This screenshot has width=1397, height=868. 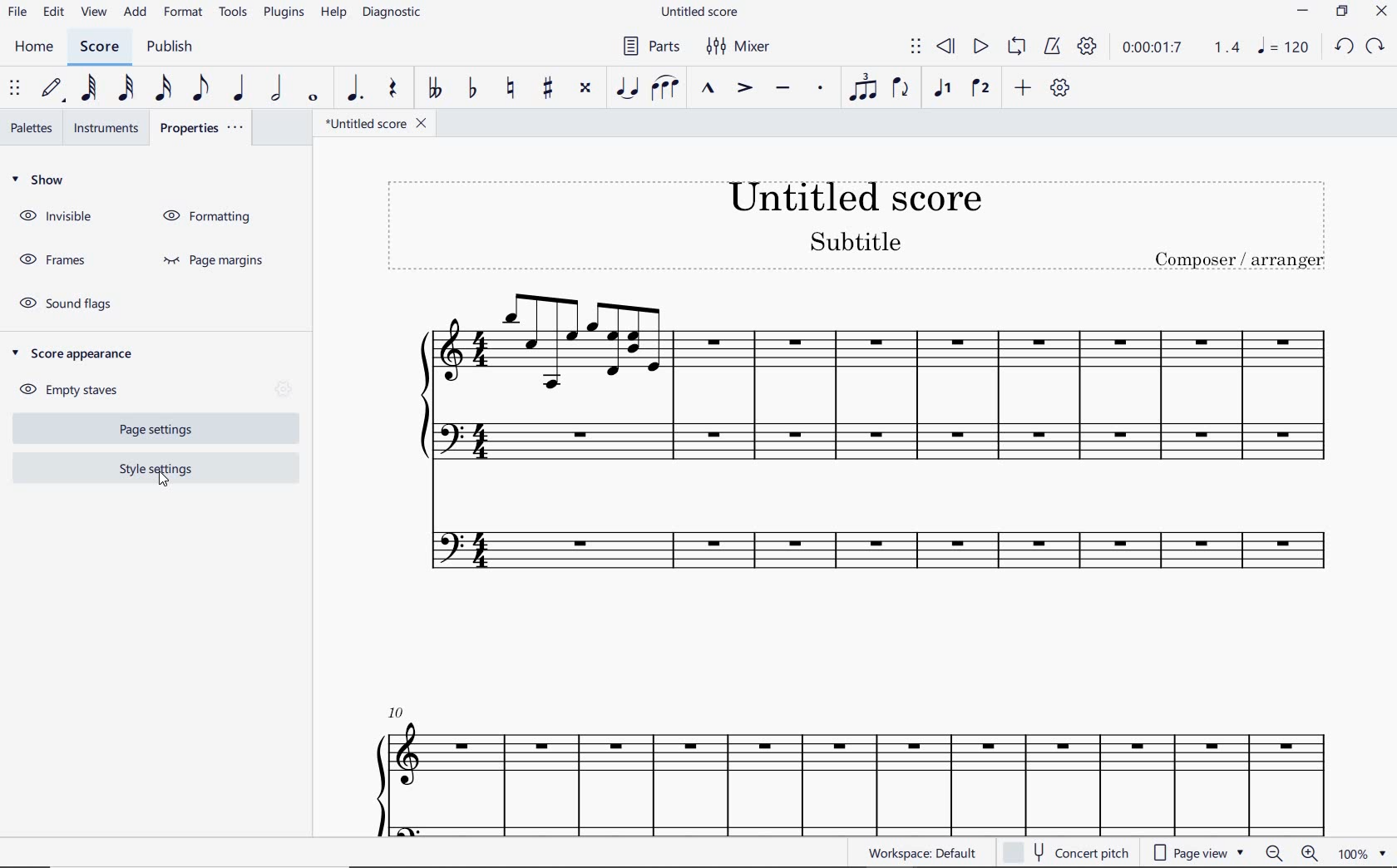 I want to click on UNDO, so click(x=1344, y=45).